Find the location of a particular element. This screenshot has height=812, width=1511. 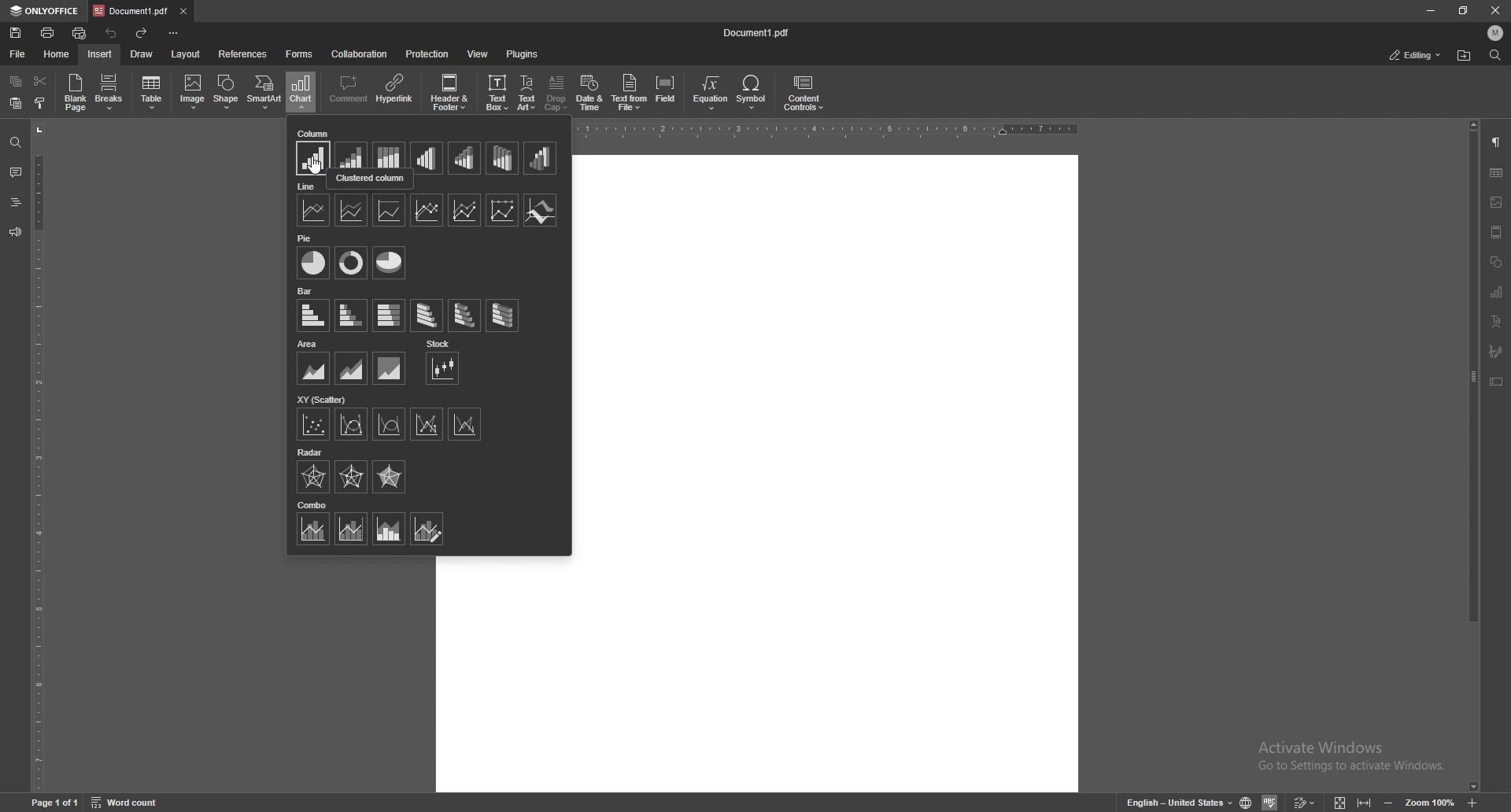

Breaks is located at coordinates (112, 94).